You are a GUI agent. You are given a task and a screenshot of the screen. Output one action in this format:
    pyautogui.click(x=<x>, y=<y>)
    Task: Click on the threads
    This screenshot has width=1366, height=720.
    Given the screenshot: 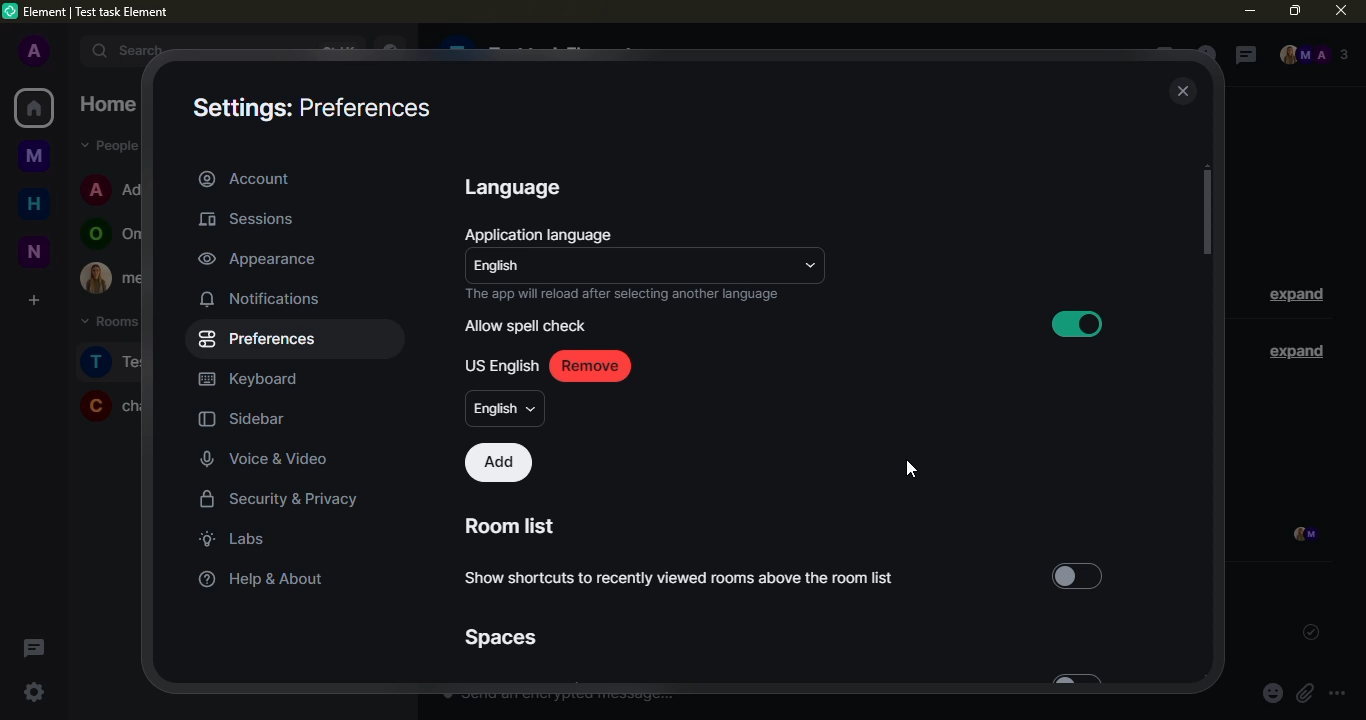 What is the action you would take?
    pyautogui.click(x=1242, y=56)
    